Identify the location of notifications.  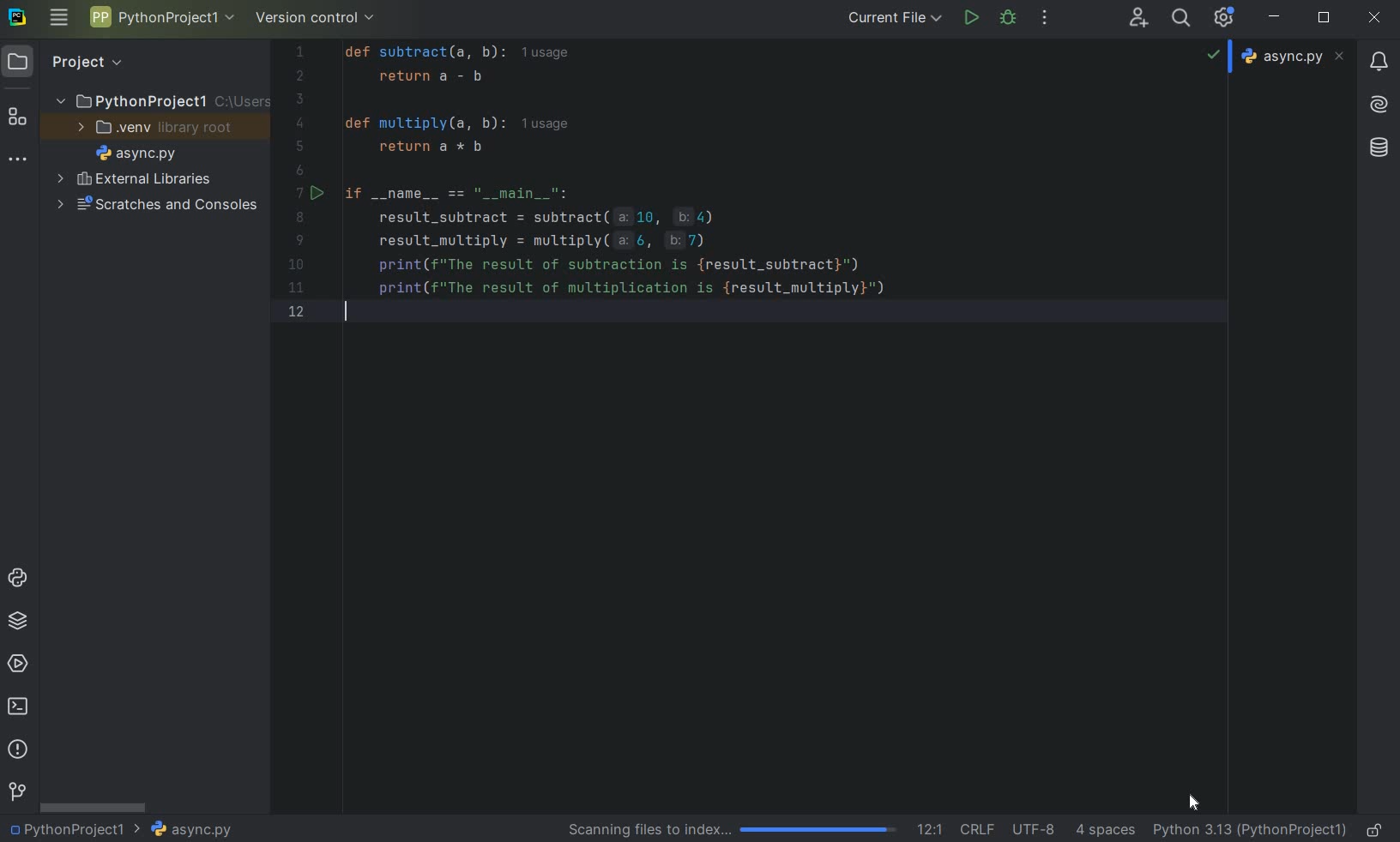
(1380, 63).